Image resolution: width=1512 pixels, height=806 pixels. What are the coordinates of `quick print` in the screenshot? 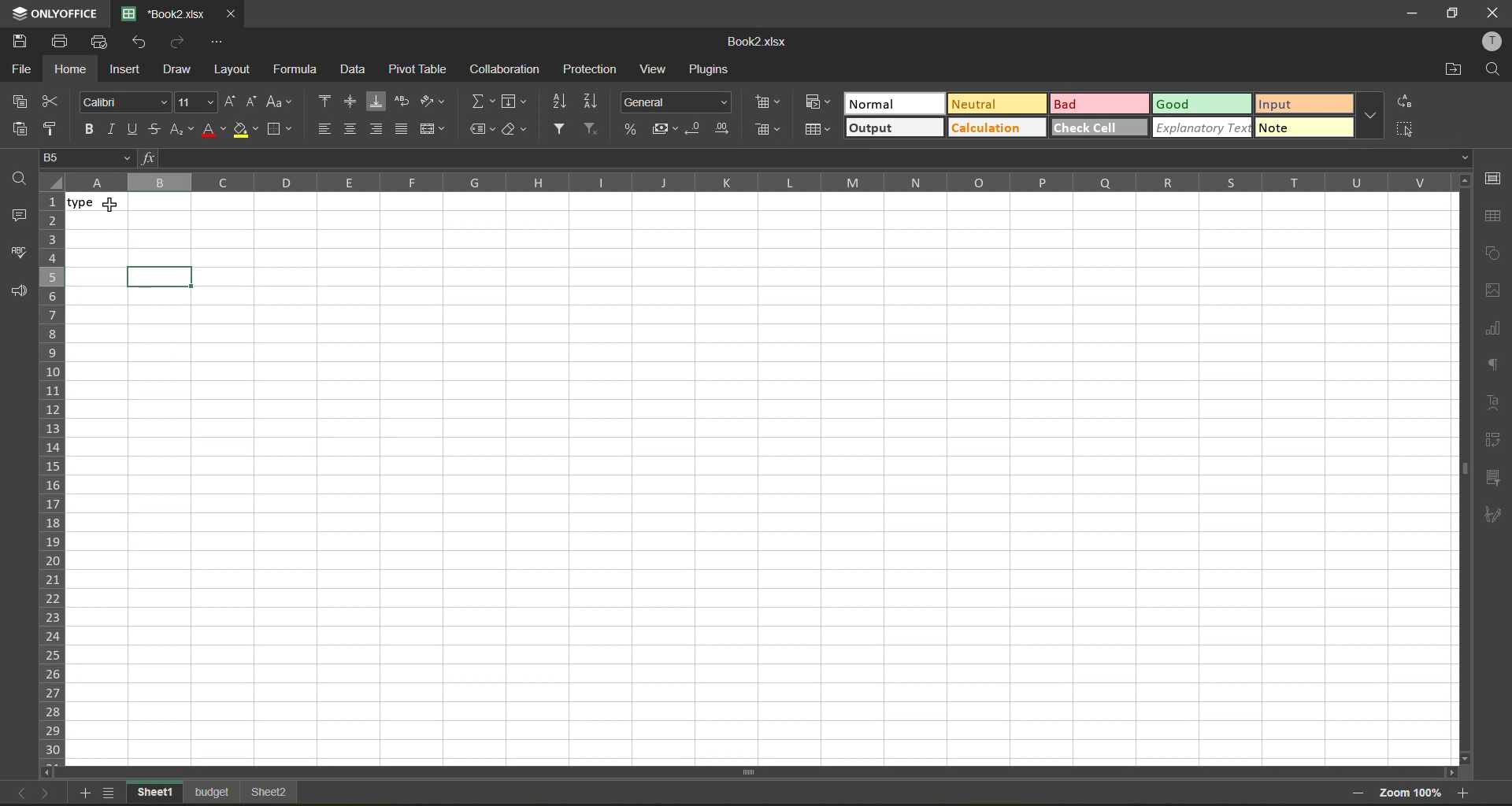 It's located at (100, 43).